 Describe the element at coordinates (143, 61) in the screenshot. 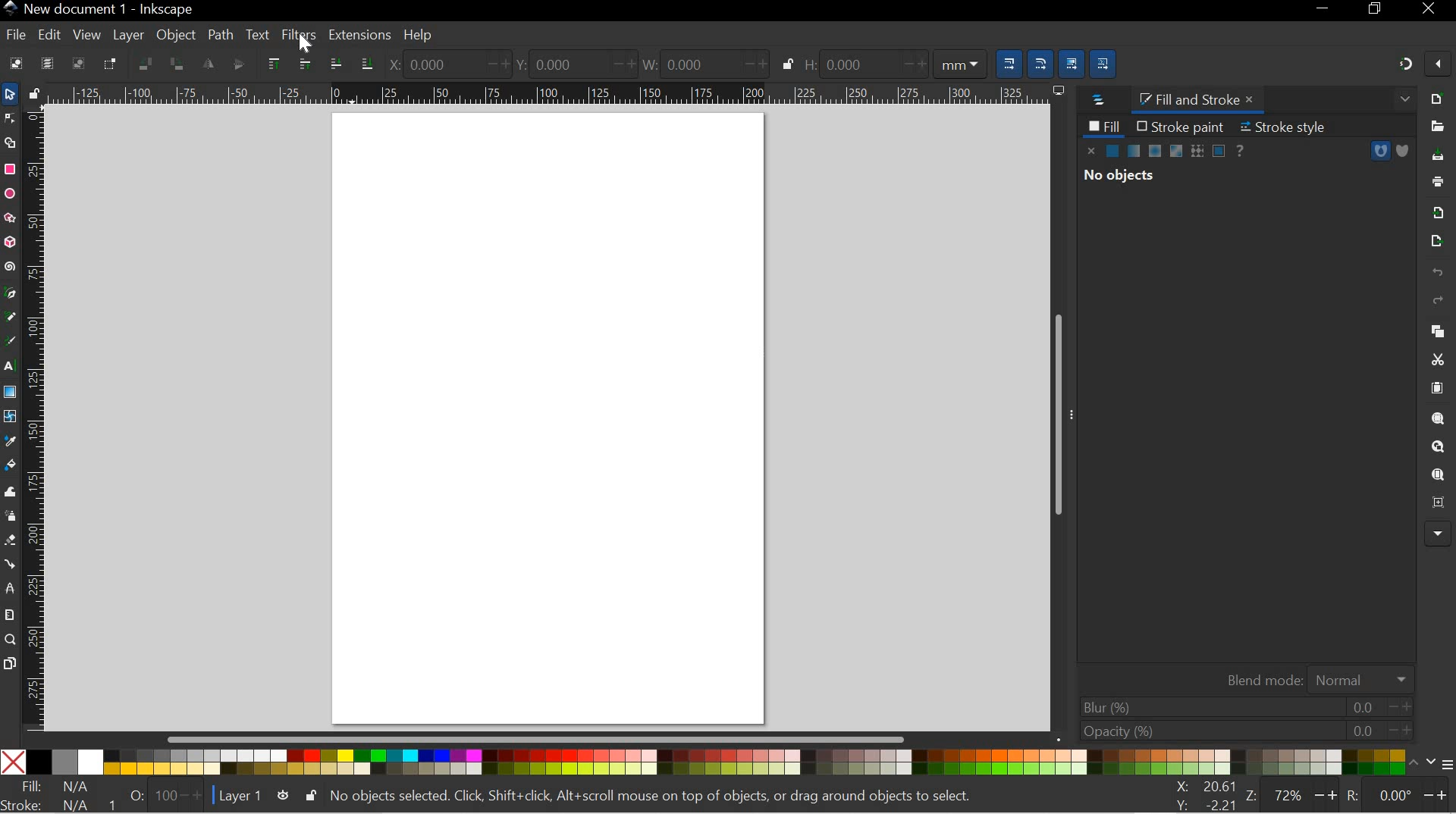

I see `OBJECT ROTATE 90 WW` at that location.